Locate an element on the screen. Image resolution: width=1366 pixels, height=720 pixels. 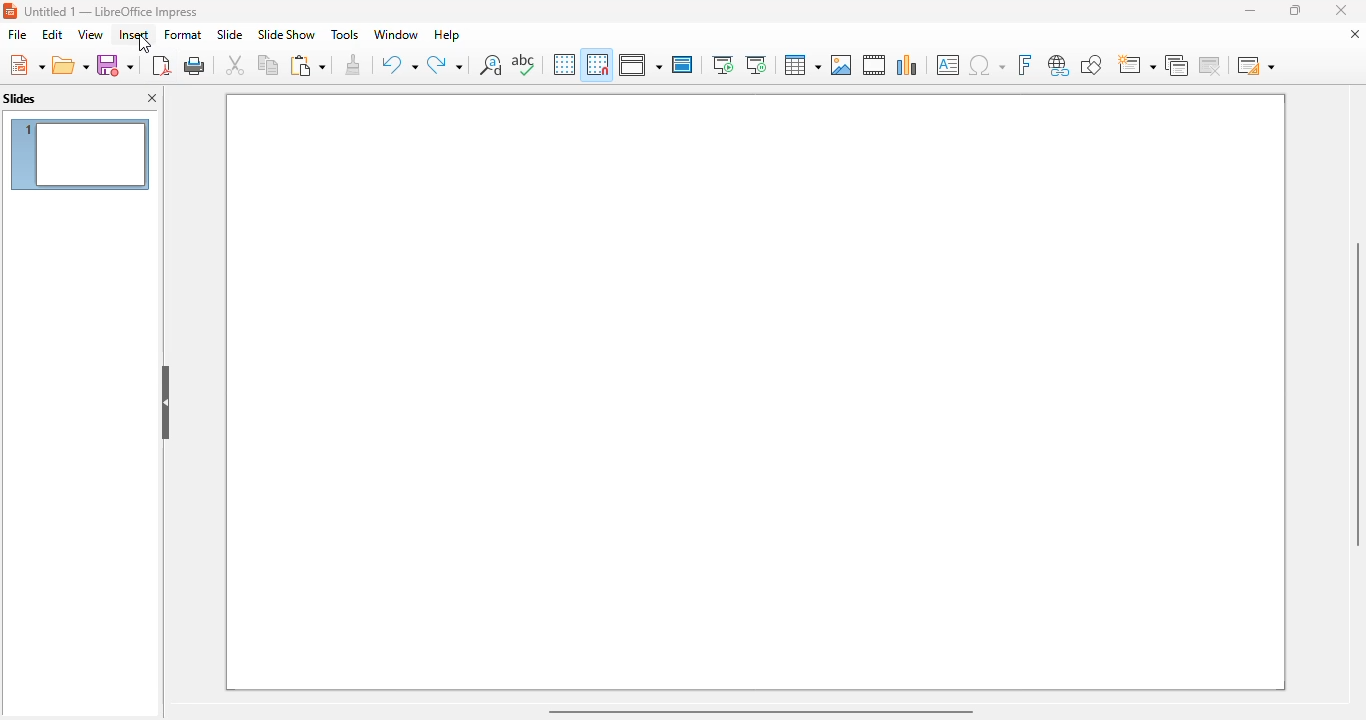
slides is located at coordinates (20, 99).